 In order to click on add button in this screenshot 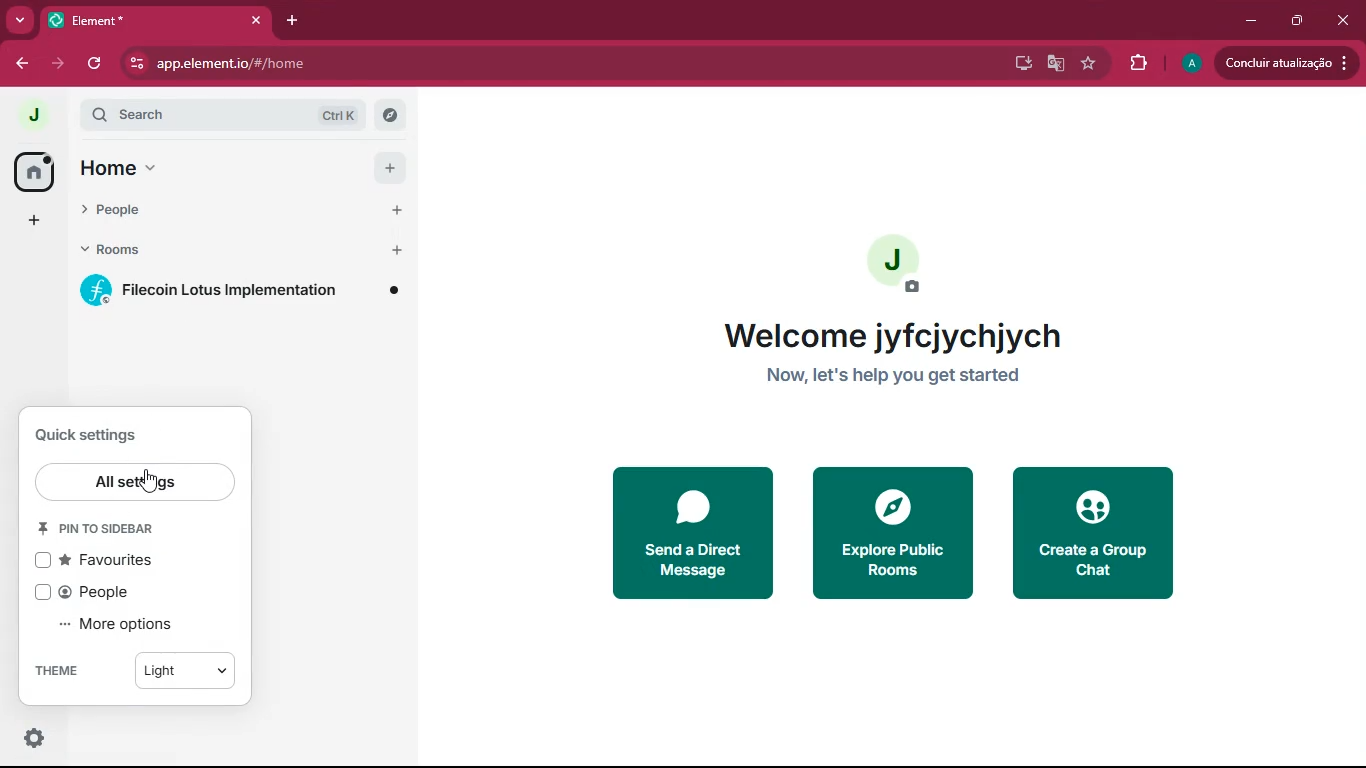, I will do `click(395, 250)`.